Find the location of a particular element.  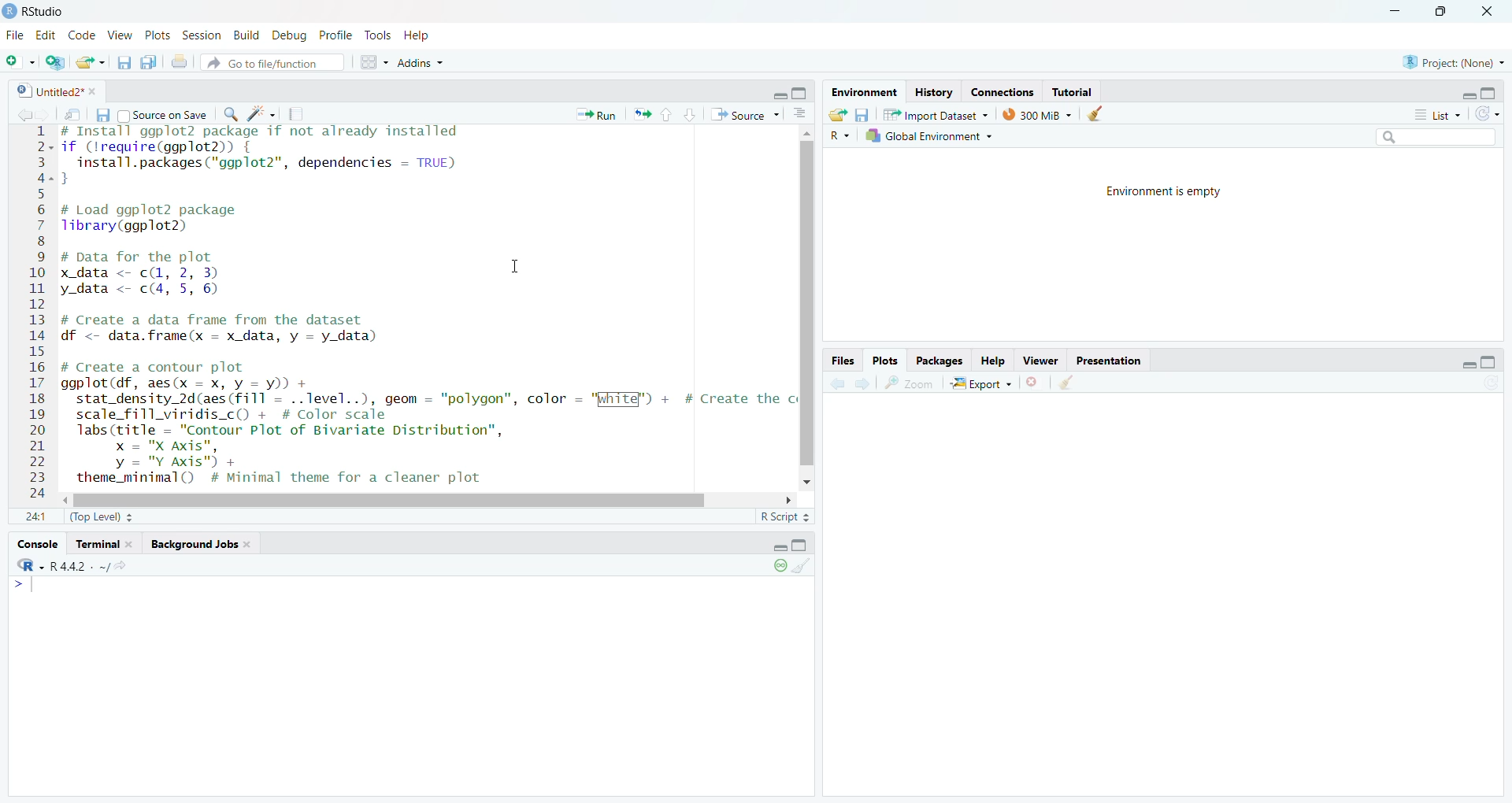

Debug is located at coordinates (290, 37).